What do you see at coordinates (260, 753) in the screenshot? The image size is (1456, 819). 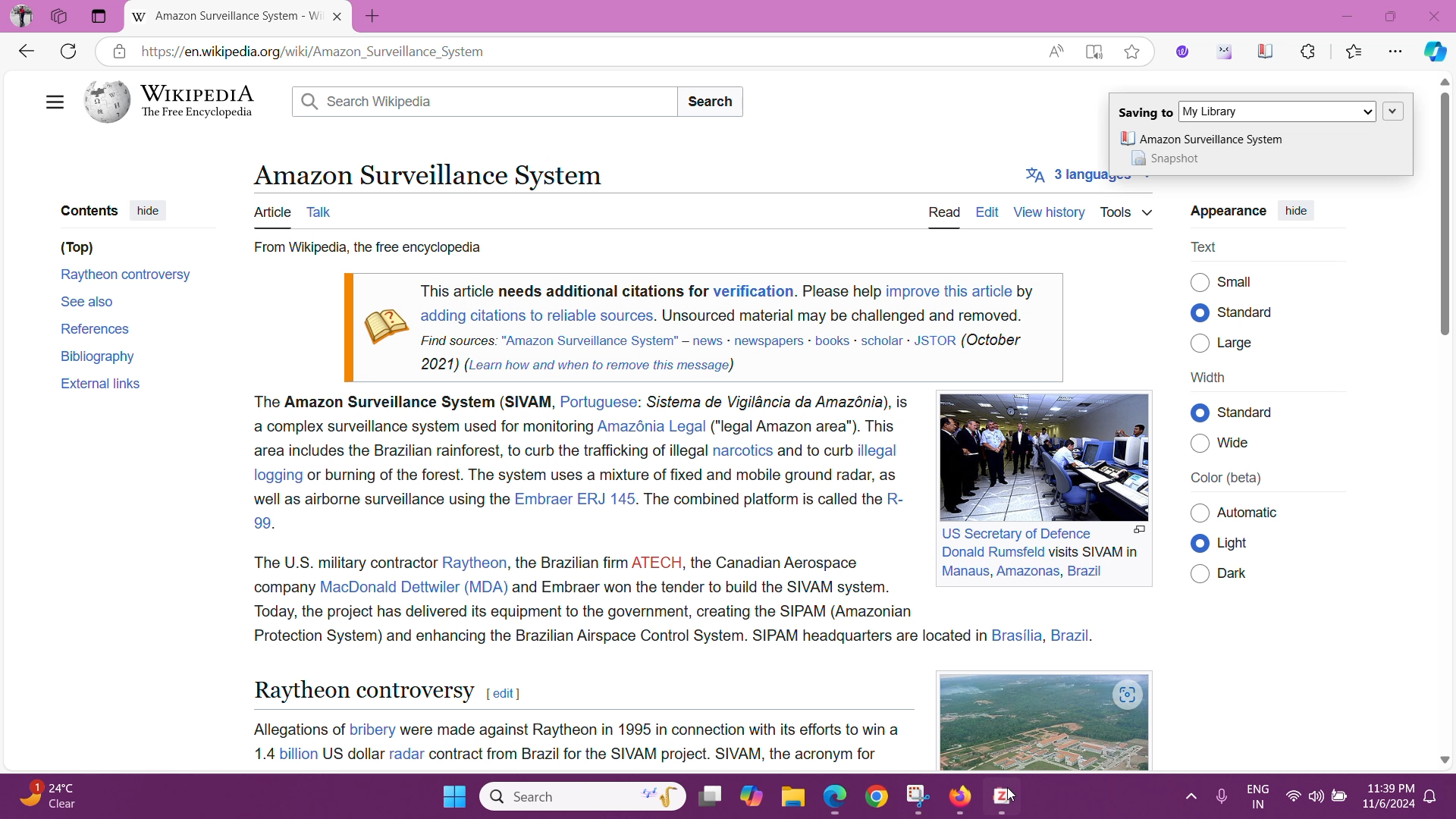 I see `14` at bounding box center [260, 753].